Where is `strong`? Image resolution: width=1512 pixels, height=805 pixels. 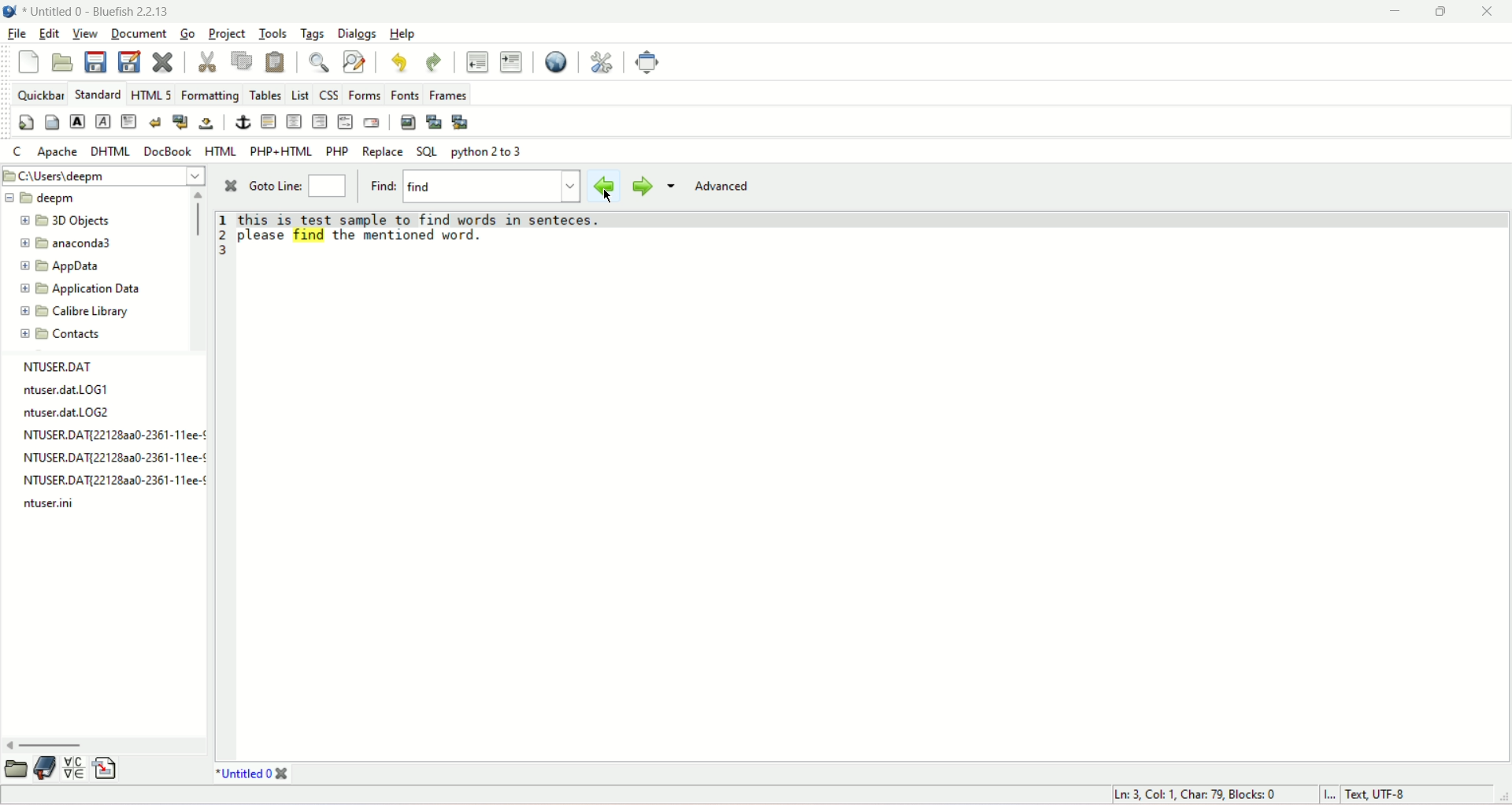 strong is located at coordinates (76, 120).